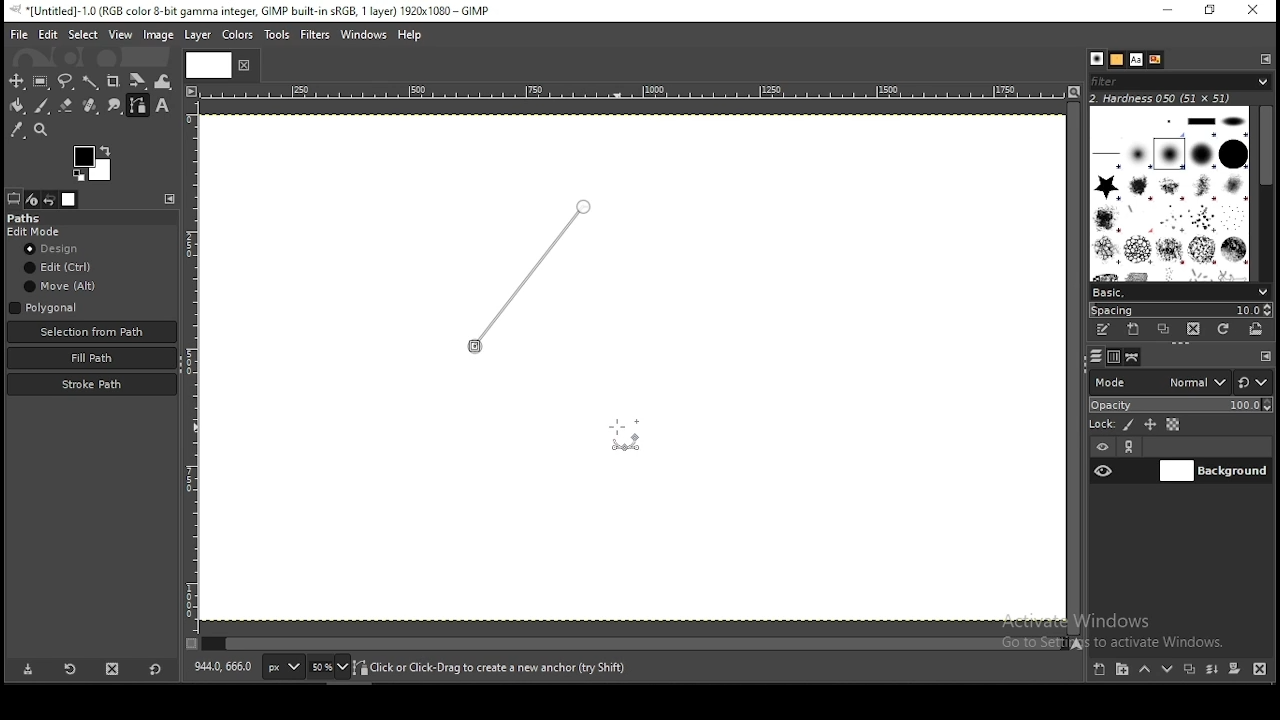 The height and width of the screenshot is (720, 1280). What do you see at coordinates (211, 65) in the screenshot?
I see `tab` at bounding box center [211, 65].